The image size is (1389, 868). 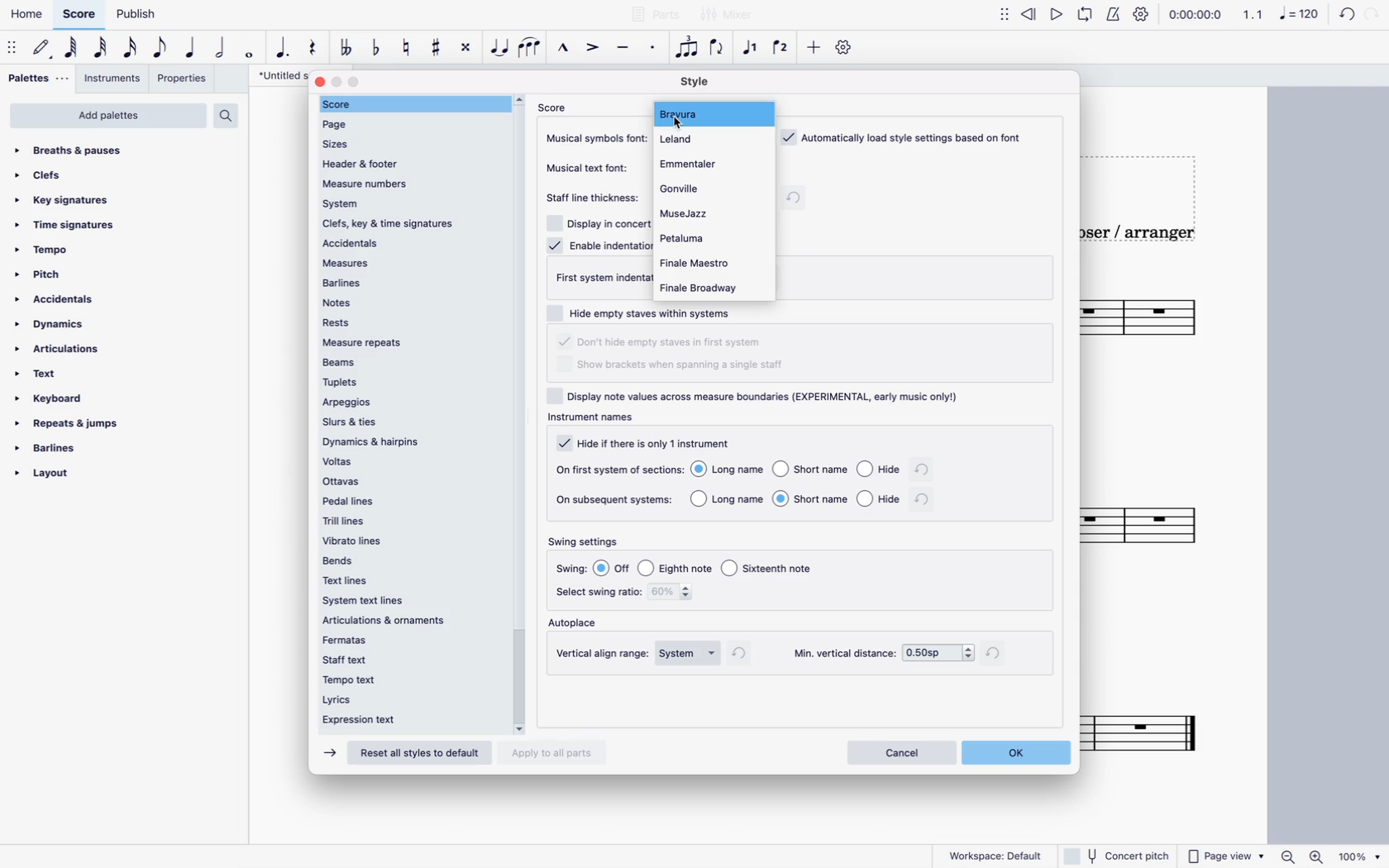 What do you see at coordinates (1256, 13) in the screenshot?
I see `1, 1` at bounding box center [1256, 13].